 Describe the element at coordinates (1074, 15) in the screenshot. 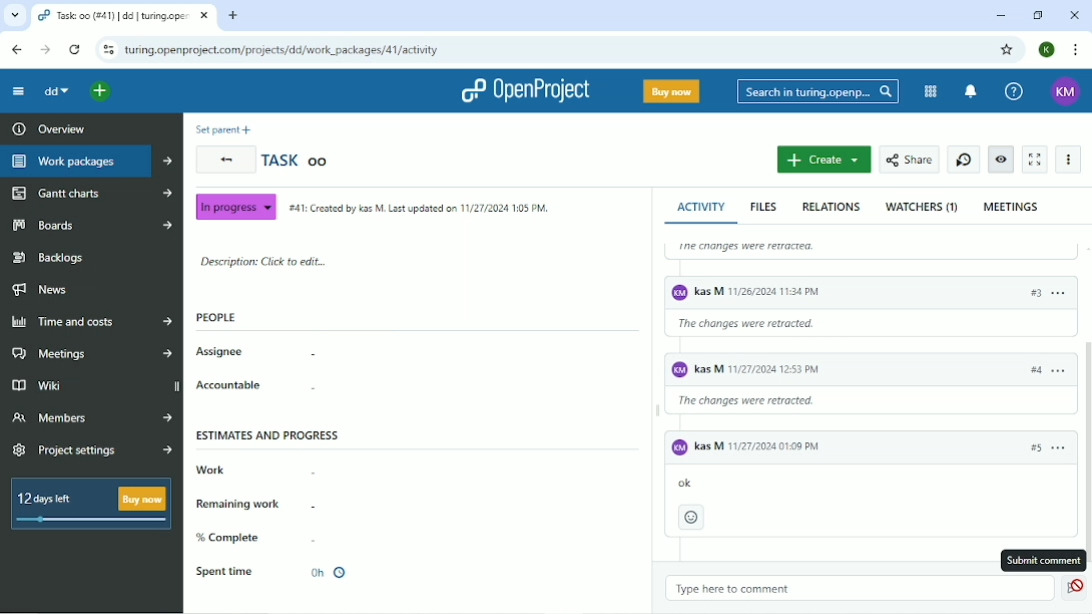

I see `Close` at that location.